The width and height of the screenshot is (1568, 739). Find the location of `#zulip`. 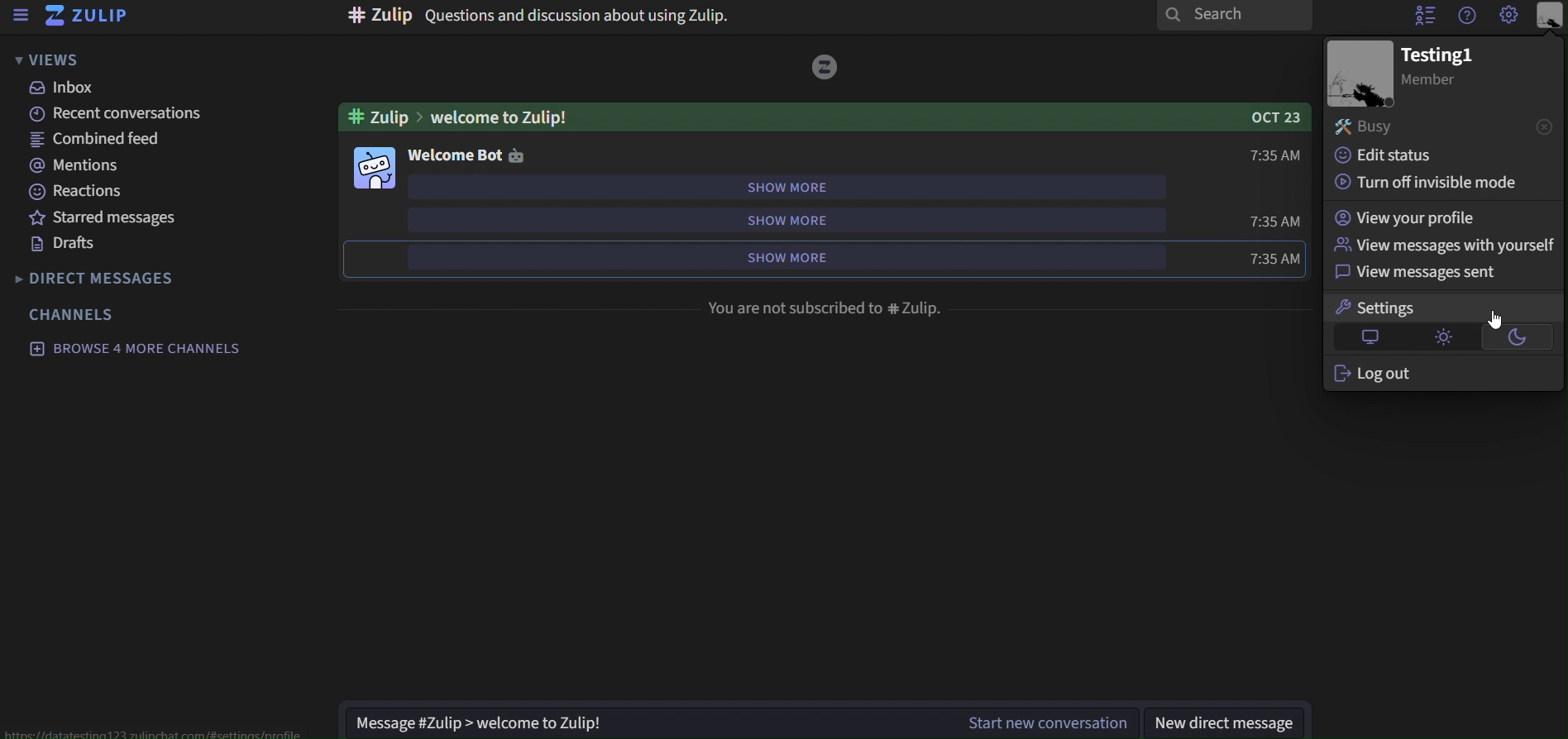

#zulip is located at coordinates (380, 116).